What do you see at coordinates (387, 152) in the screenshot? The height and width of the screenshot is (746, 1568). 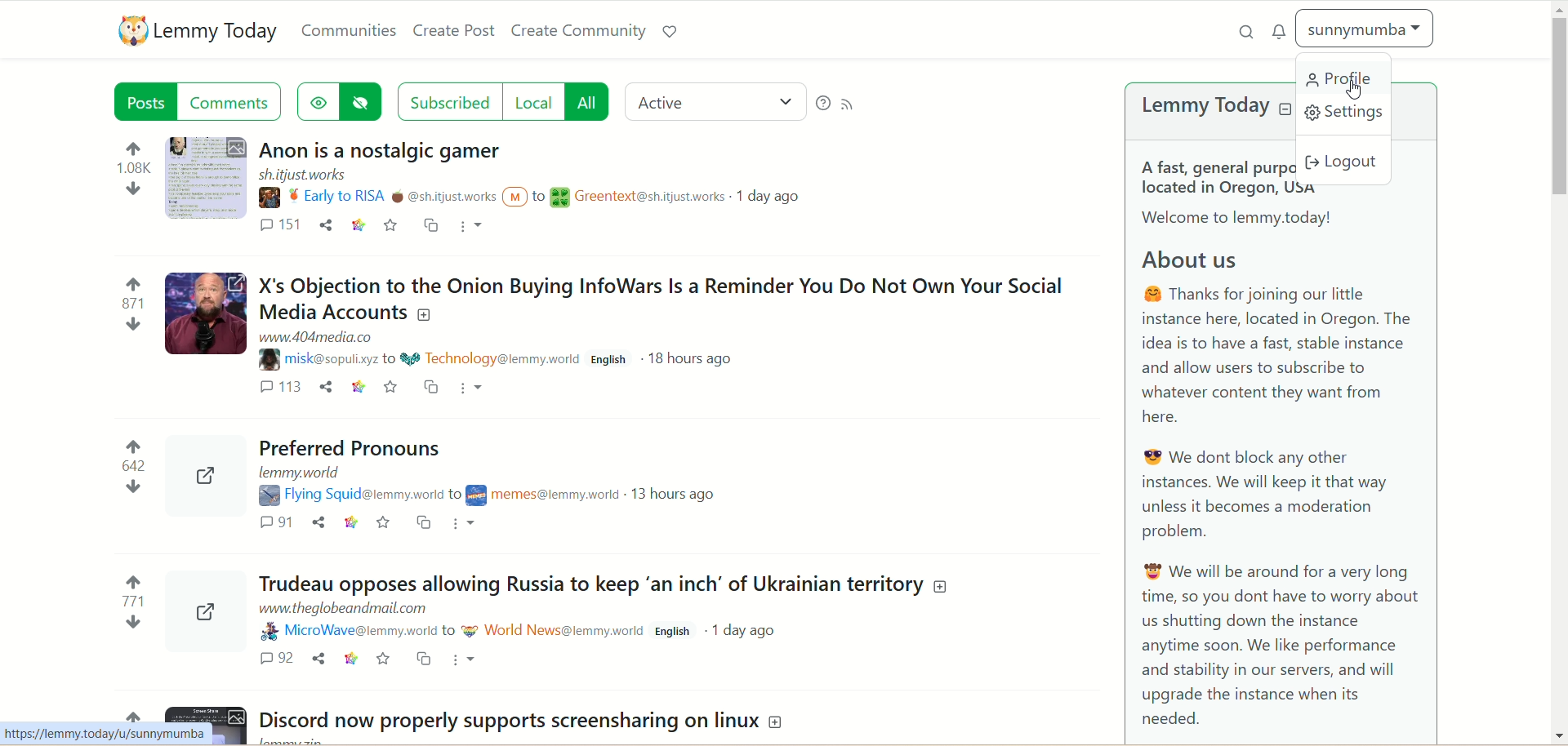 I see `Post on "Anon is a nostalgic gamer"` at bounding box center [387, 152].